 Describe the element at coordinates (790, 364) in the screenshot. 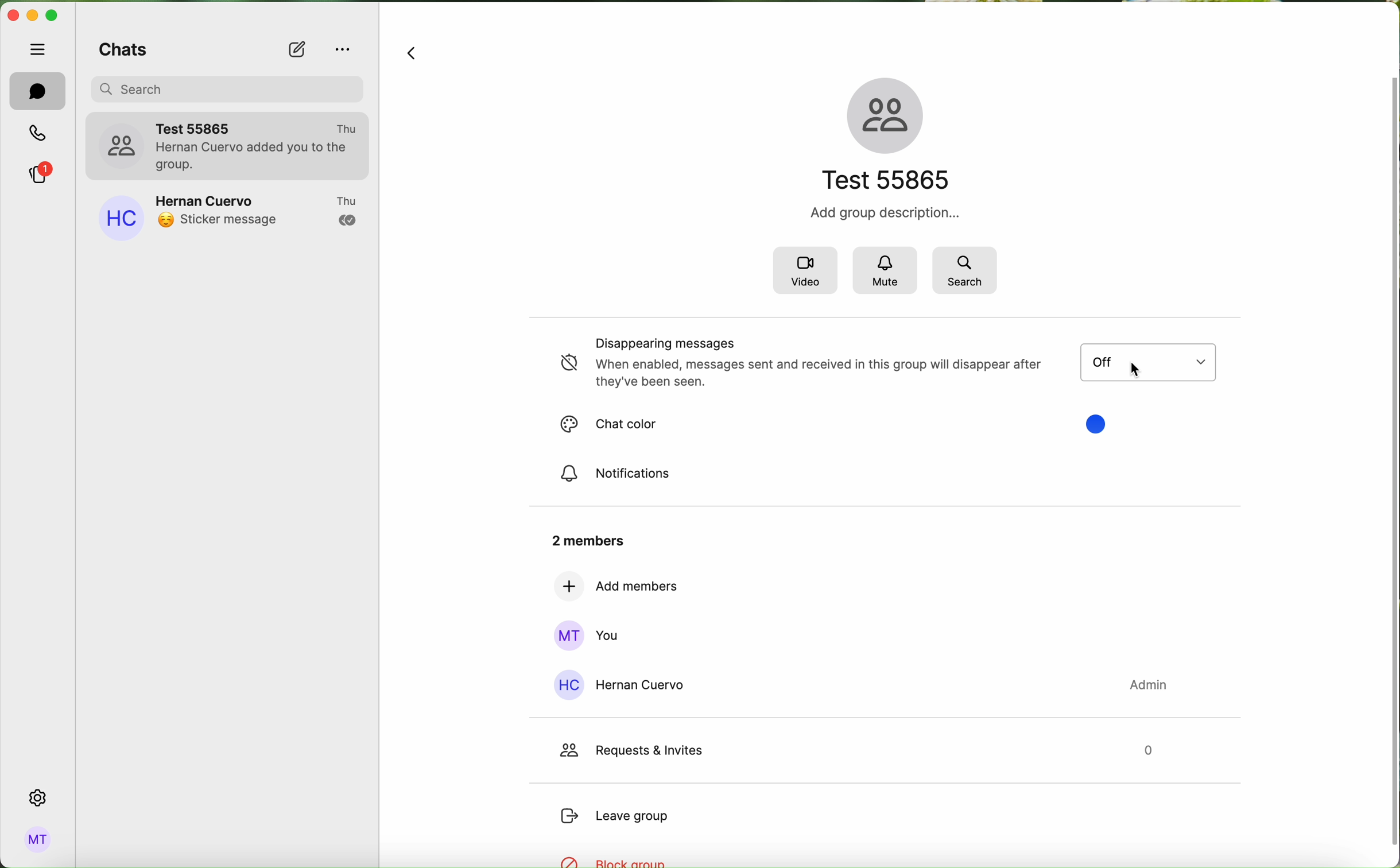

I see `disappearing messages` at that location.